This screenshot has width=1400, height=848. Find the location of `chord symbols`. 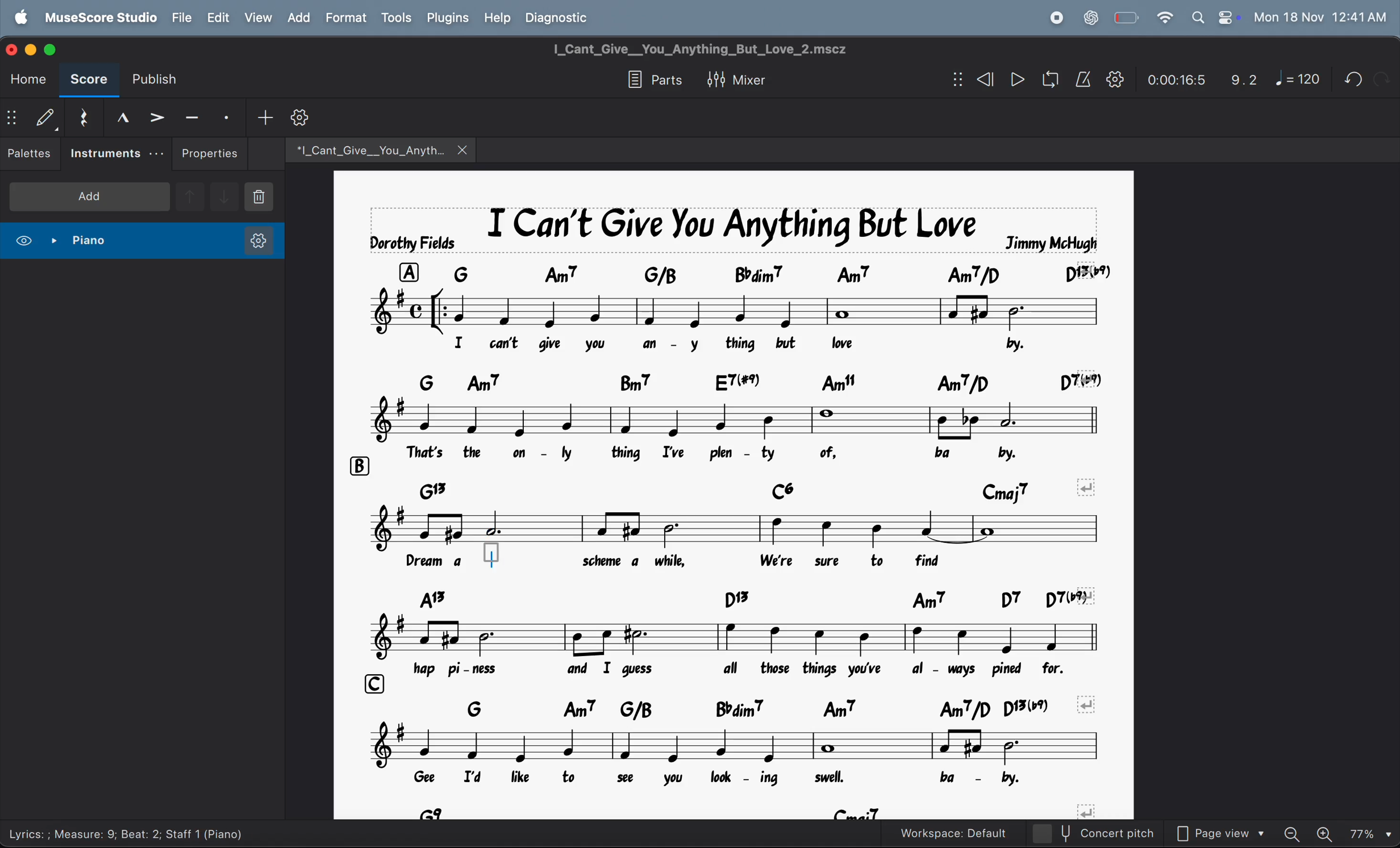

chord symbols is located at coordinates (736, 811).